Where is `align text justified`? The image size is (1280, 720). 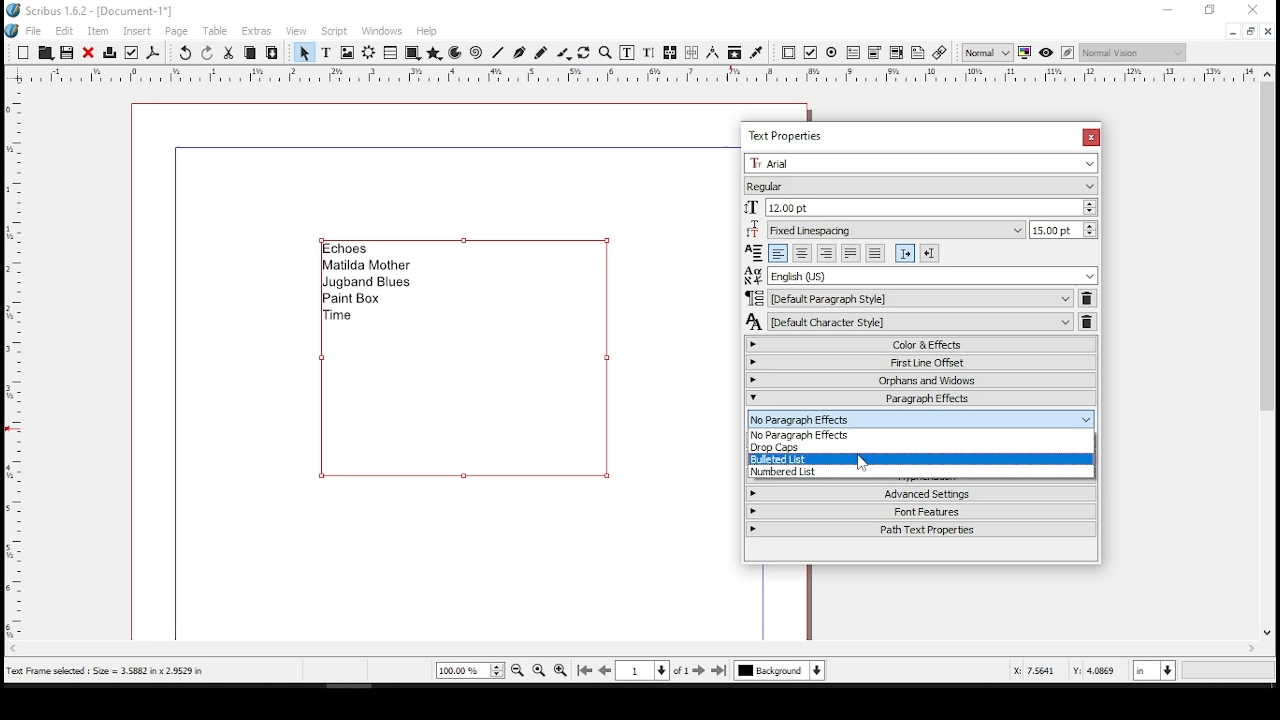 align text justified is located at coordinates (850, 253).